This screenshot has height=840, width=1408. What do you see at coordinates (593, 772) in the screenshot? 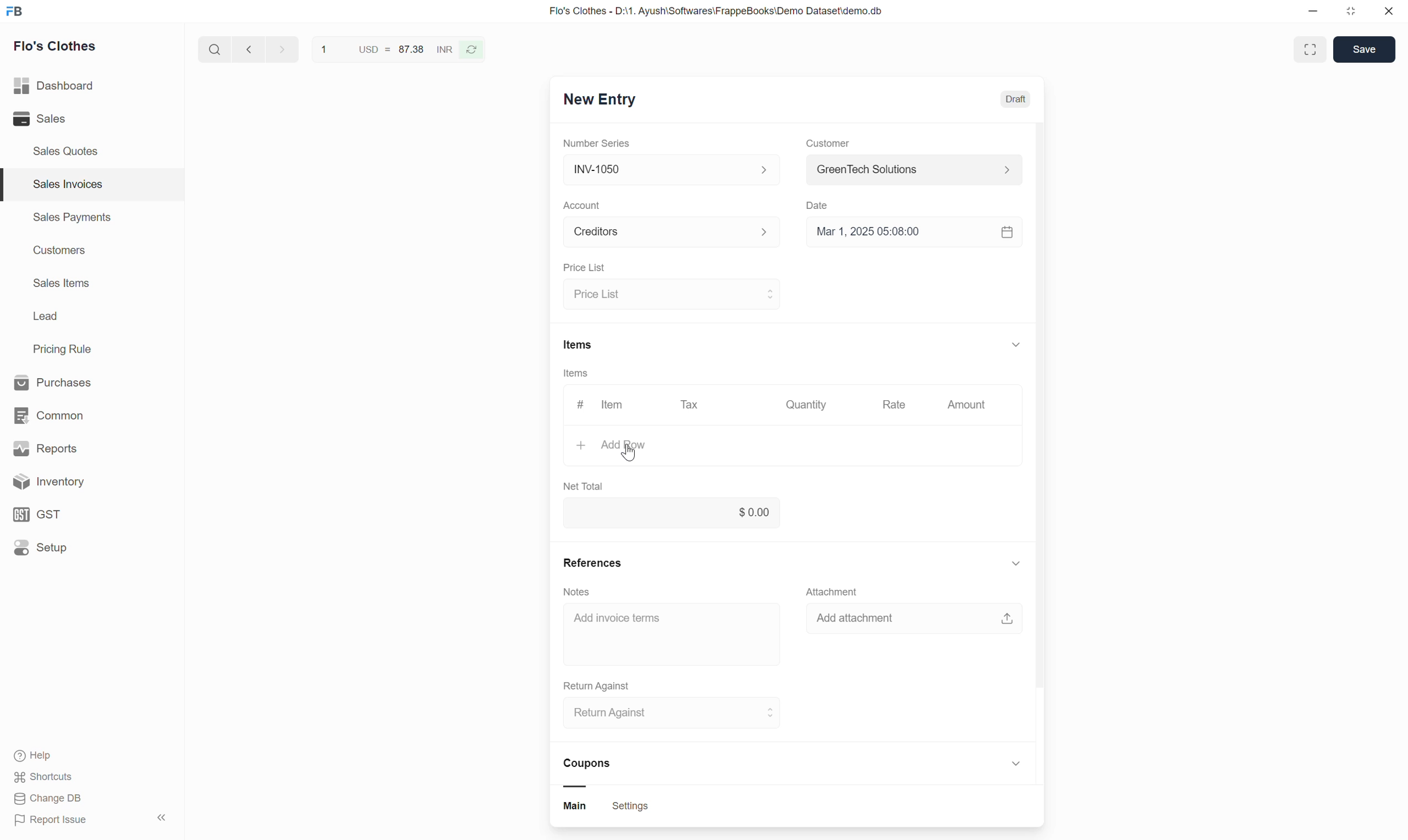
I see `Coupons` at bounding box center [593, 772].